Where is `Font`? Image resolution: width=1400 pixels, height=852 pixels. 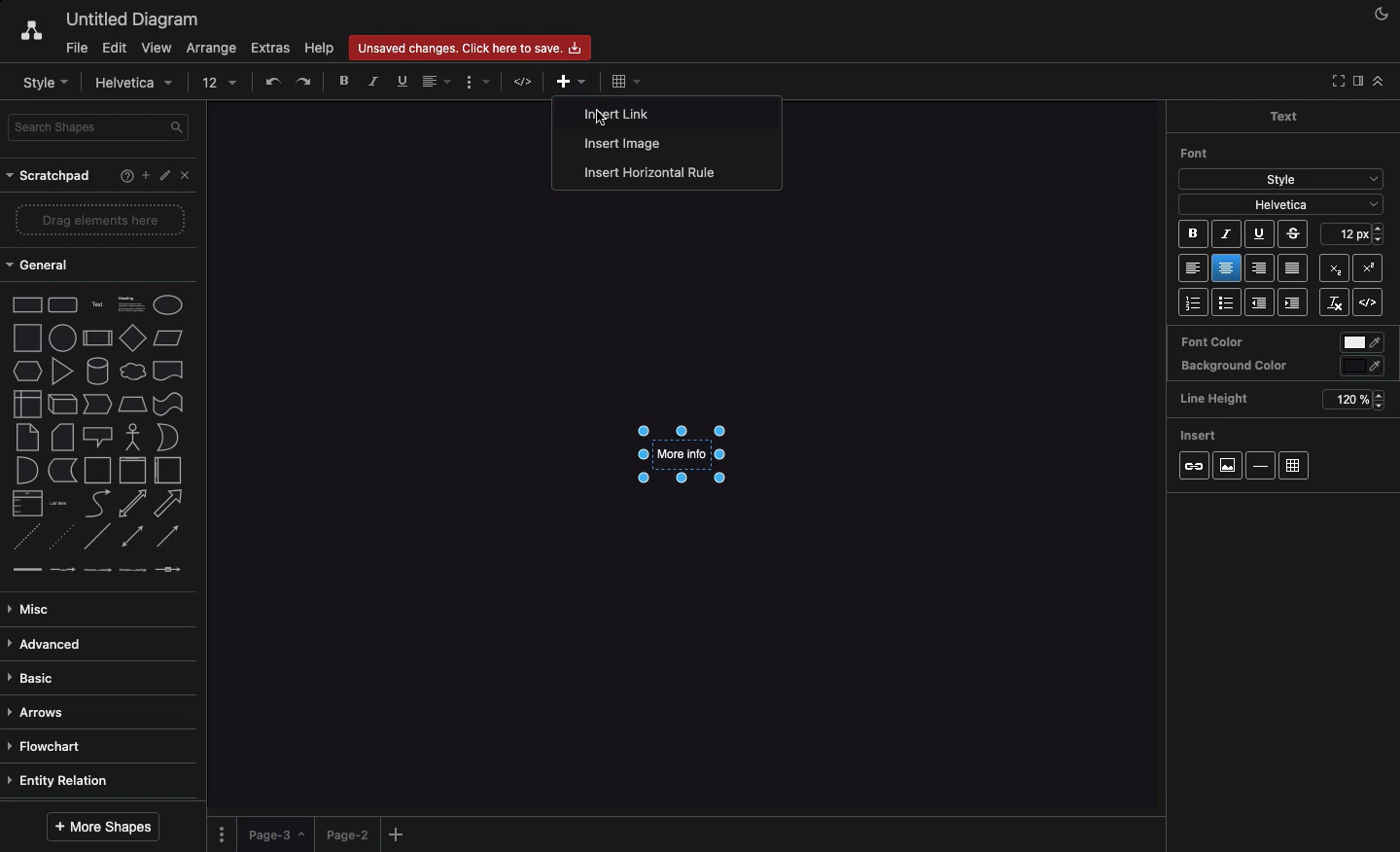
Font is located at coordinates (1196, 153).